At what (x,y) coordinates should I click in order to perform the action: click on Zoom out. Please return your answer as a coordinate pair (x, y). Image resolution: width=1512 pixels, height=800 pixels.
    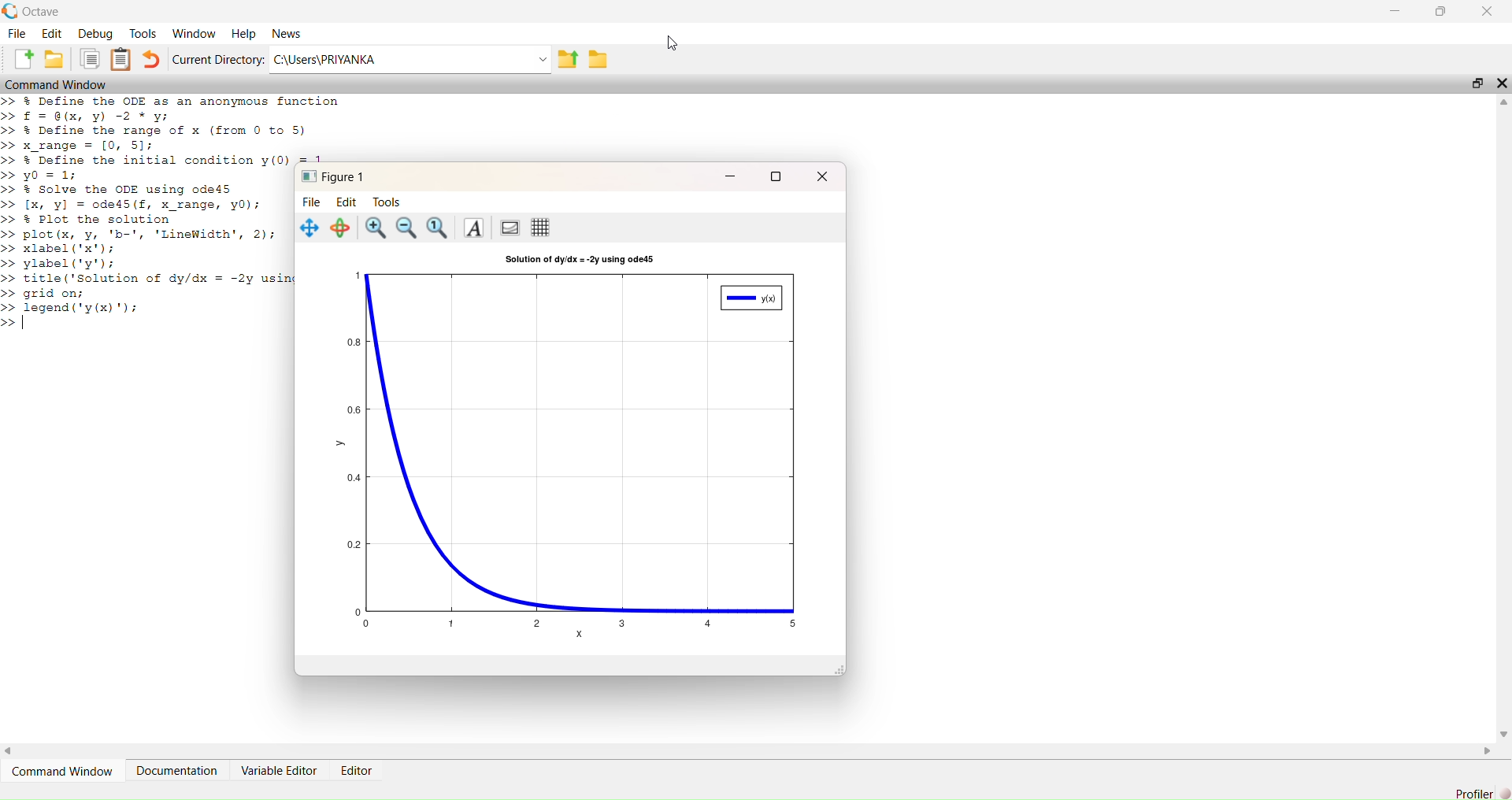
    Looking at the image, I should click on (405, 228).